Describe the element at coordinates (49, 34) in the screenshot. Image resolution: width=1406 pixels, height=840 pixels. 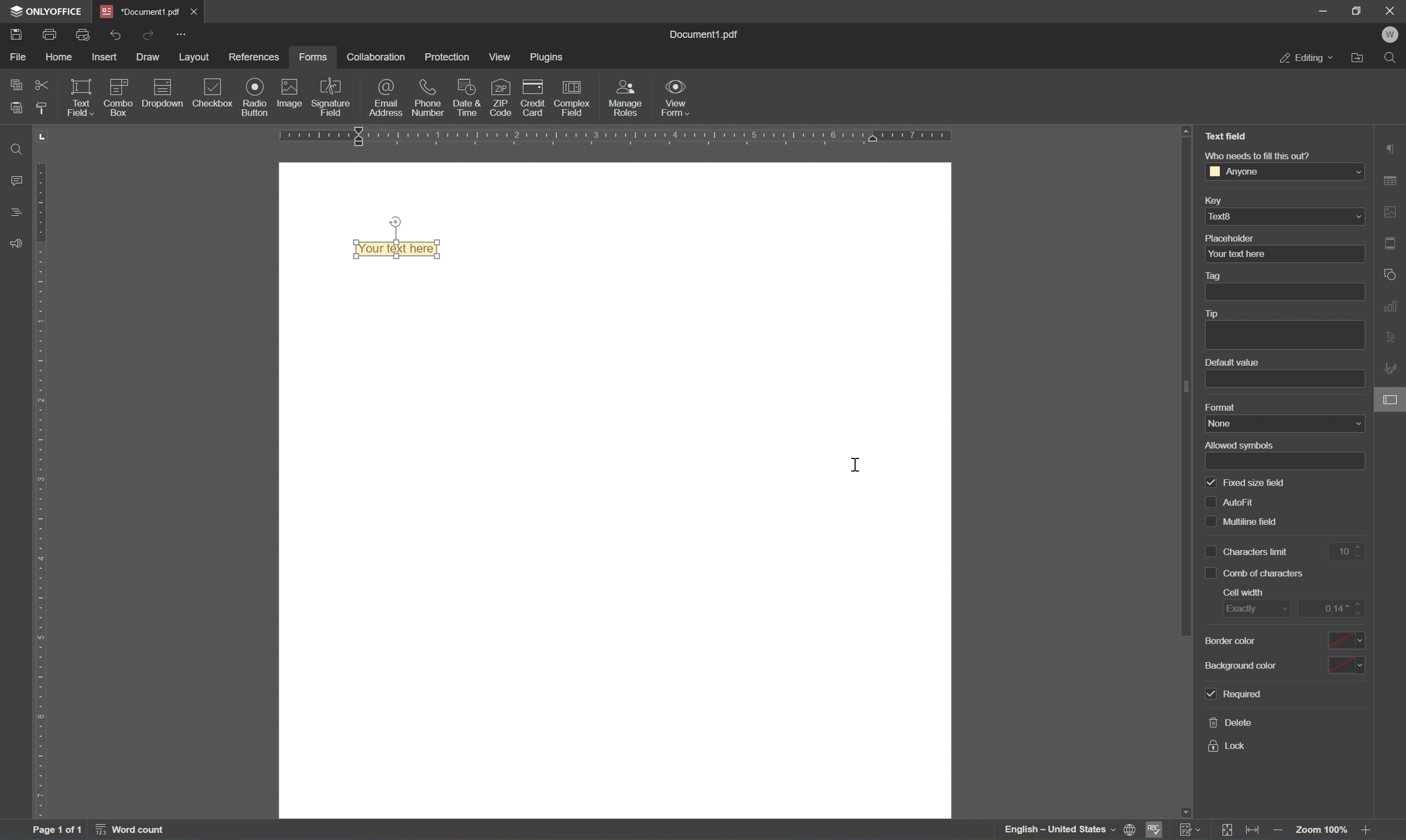
I see `print` at that location.